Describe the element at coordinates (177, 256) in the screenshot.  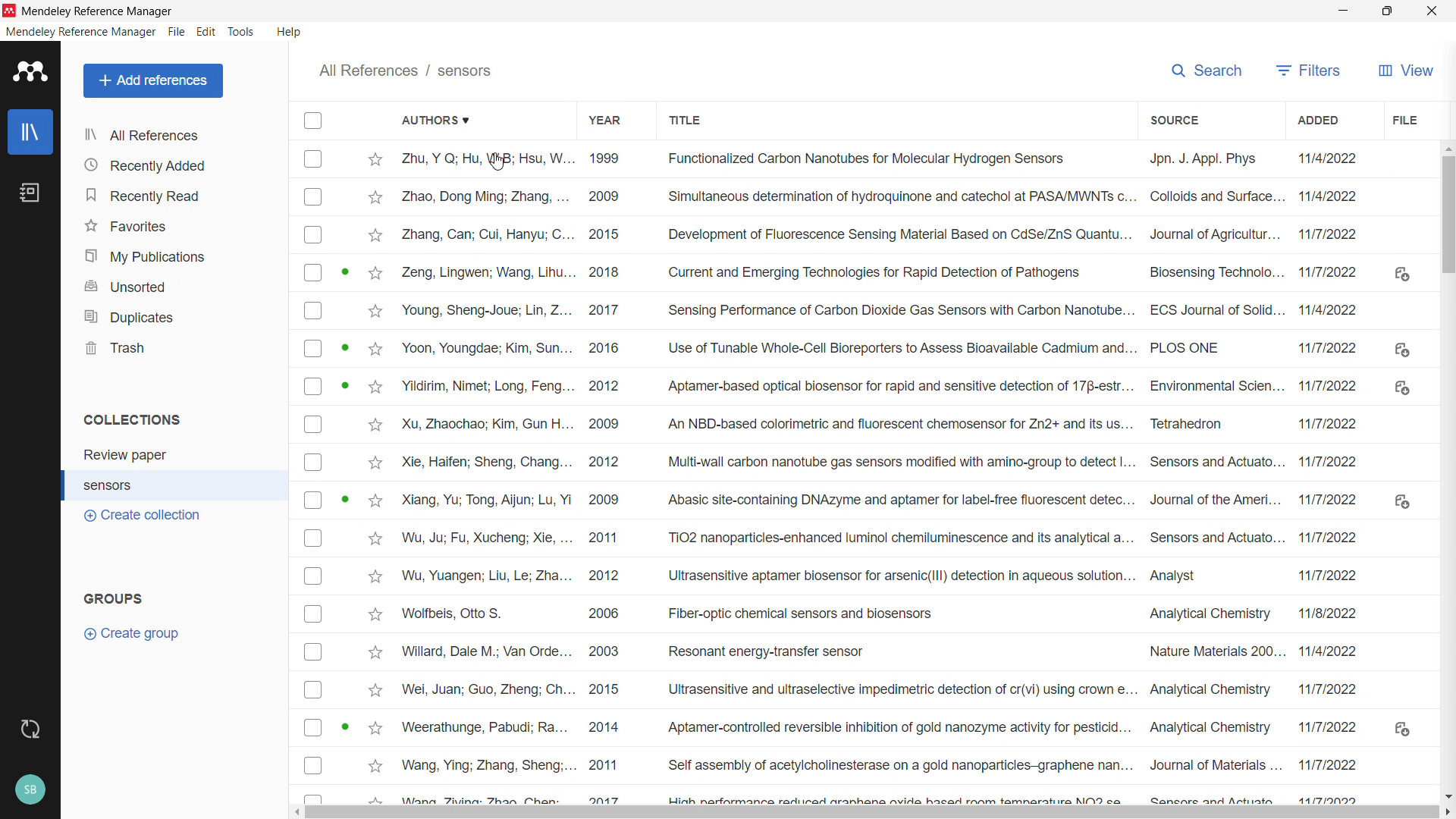
I see `Publications ` at that location.